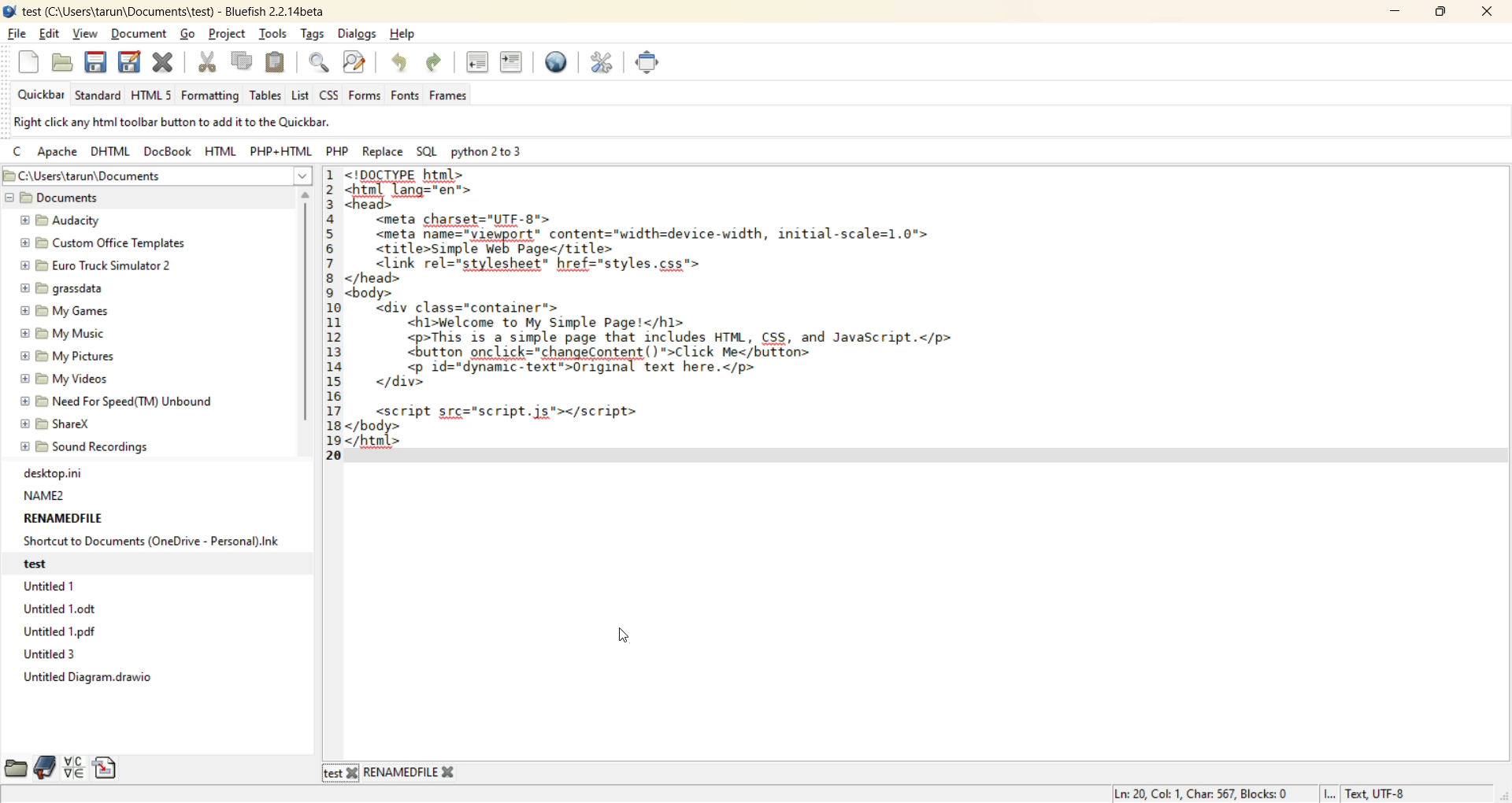 Image resolution: width=1512 pixels, height=803 pixels. I want to click on grassdata, so click(65, 290).